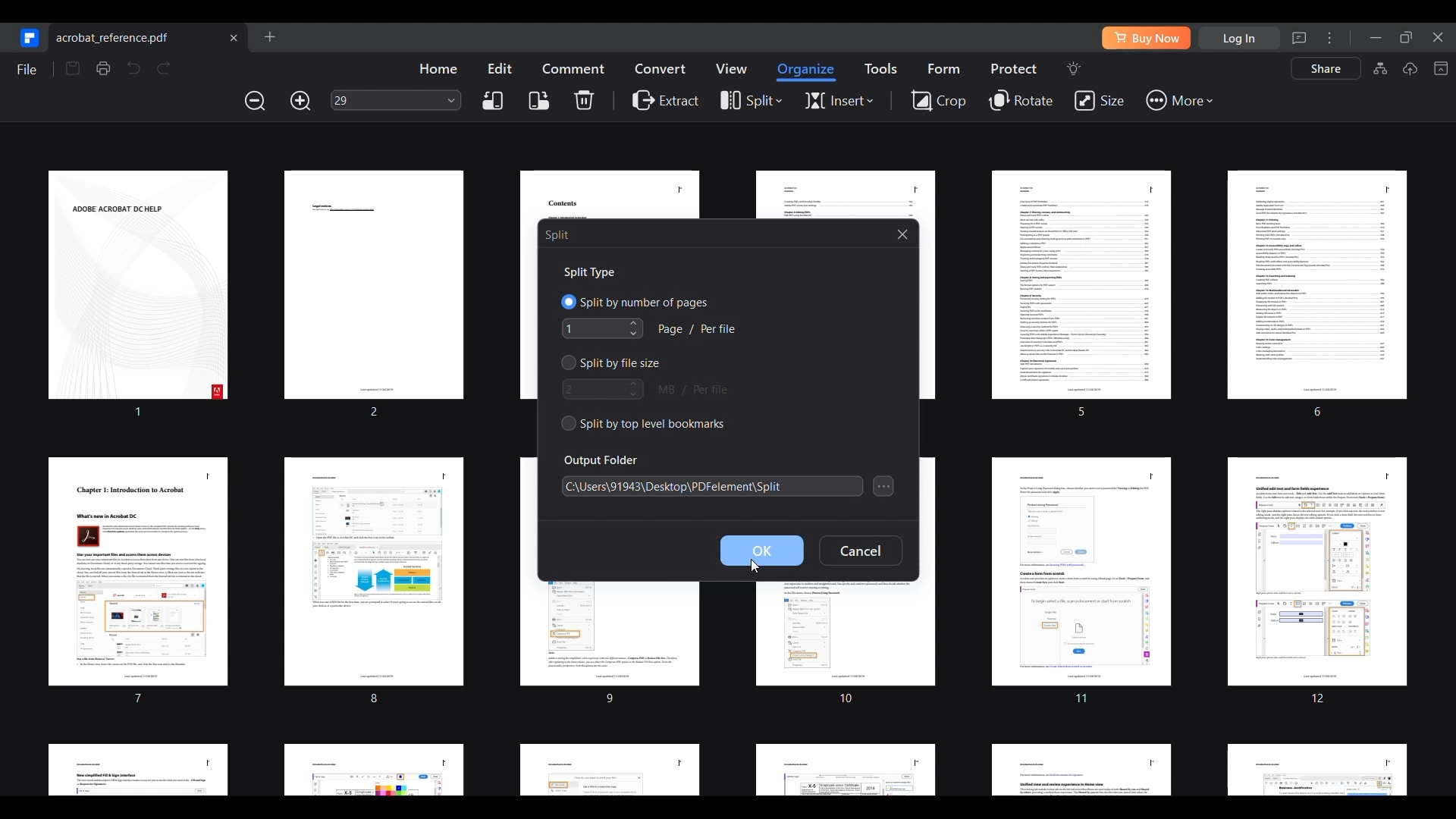 The width and height of the screenshot is (1456, 819). What do you see at coordinates (1099, 101) in the screenshot?
I see `Size` at bounding box center [1099, 101].